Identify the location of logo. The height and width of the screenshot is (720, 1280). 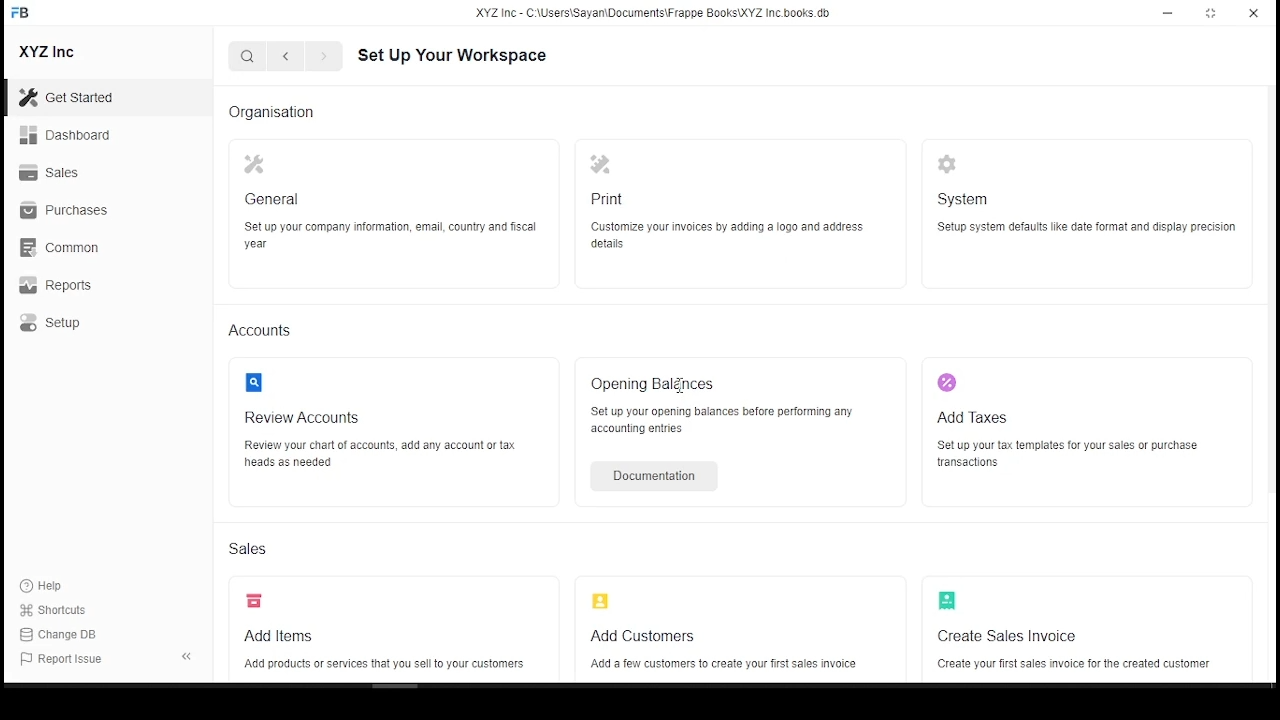
(259, 383).